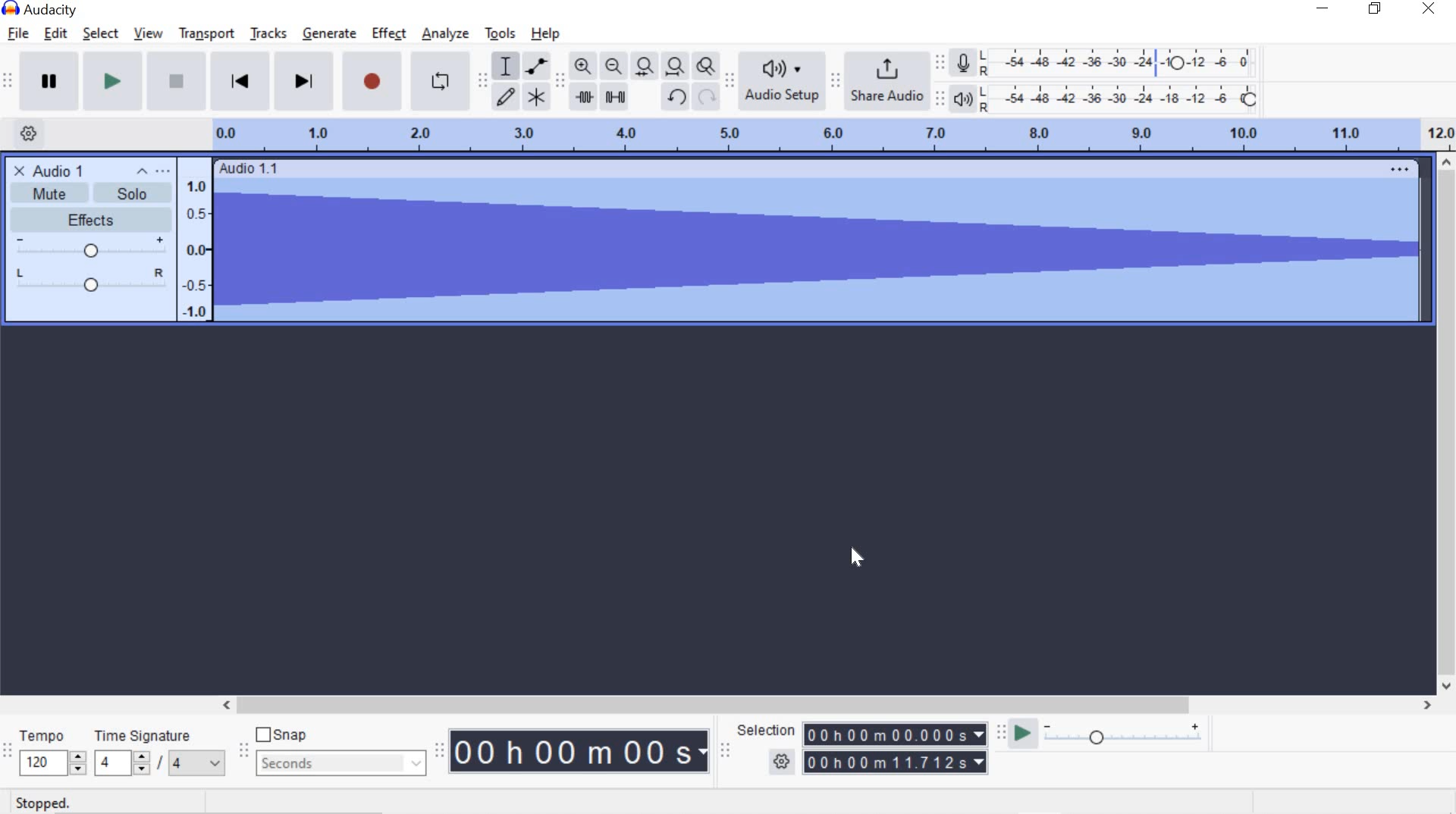 The image size is (1456, 814). Describe the element at coordinates (706, 96) in the screenshot. I see `redo` at that location.